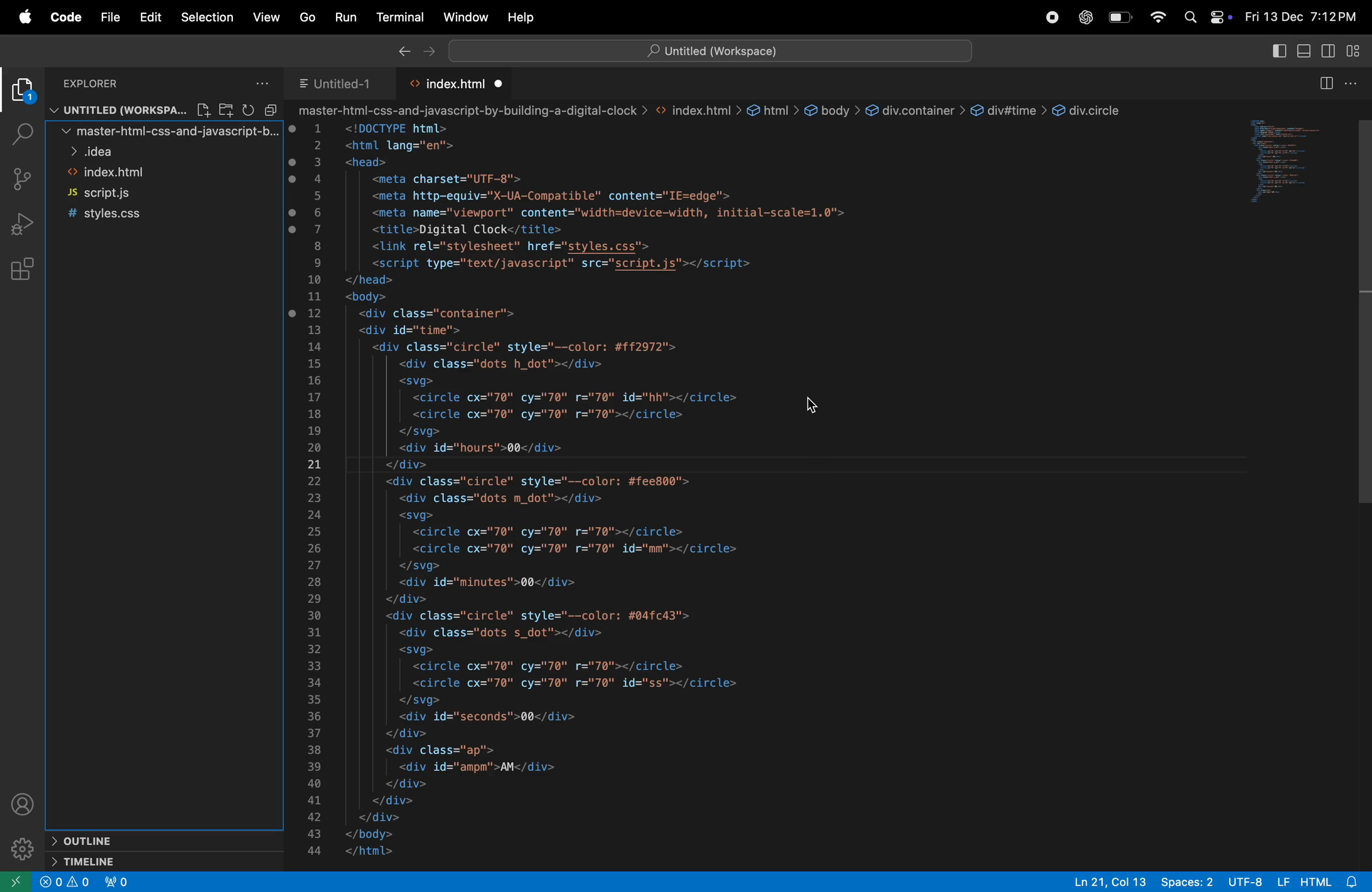  I want to click on record, so click(1055, 17).